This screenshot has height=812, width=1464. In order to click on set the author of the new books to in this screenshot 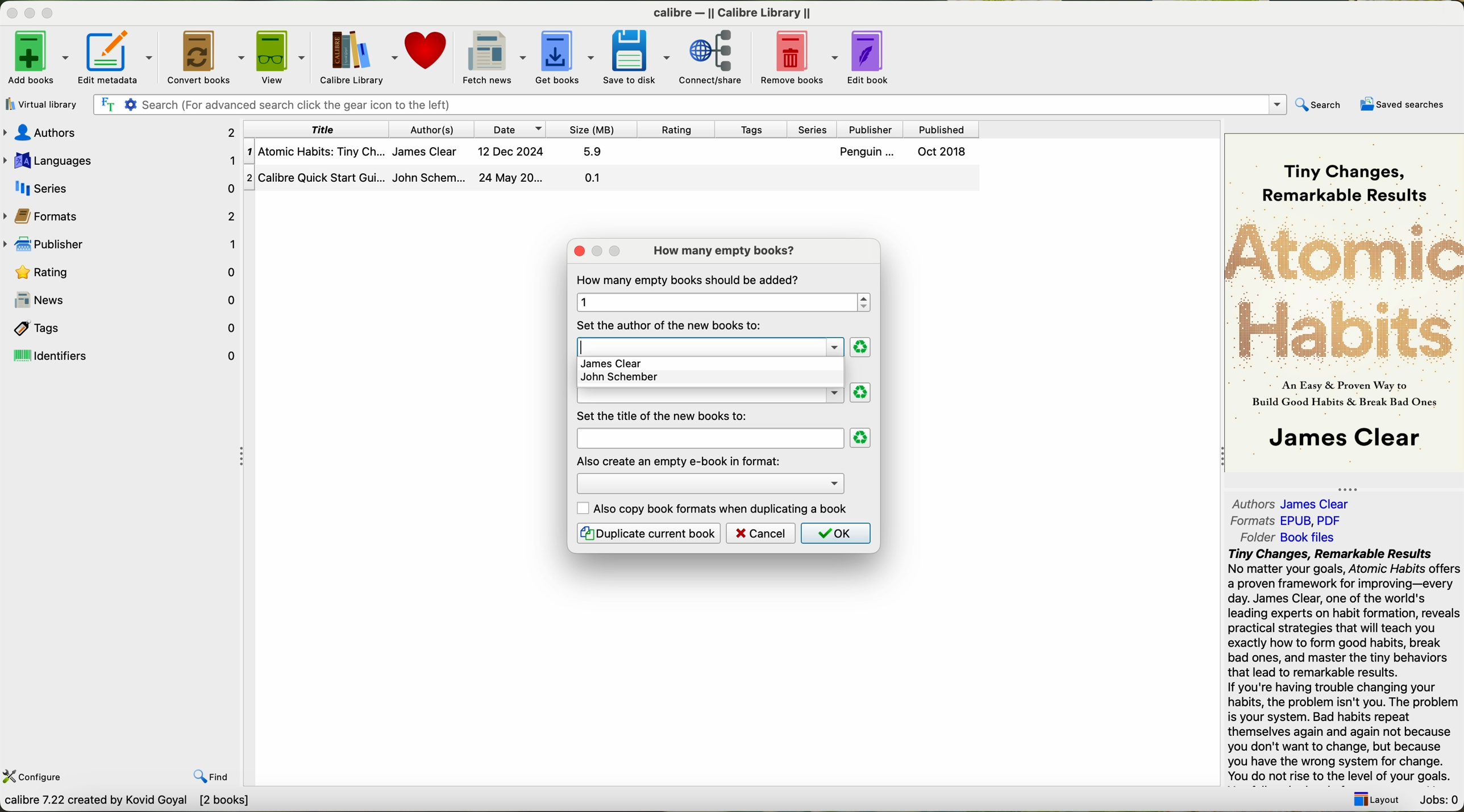, I will do `click(672, 324)`.